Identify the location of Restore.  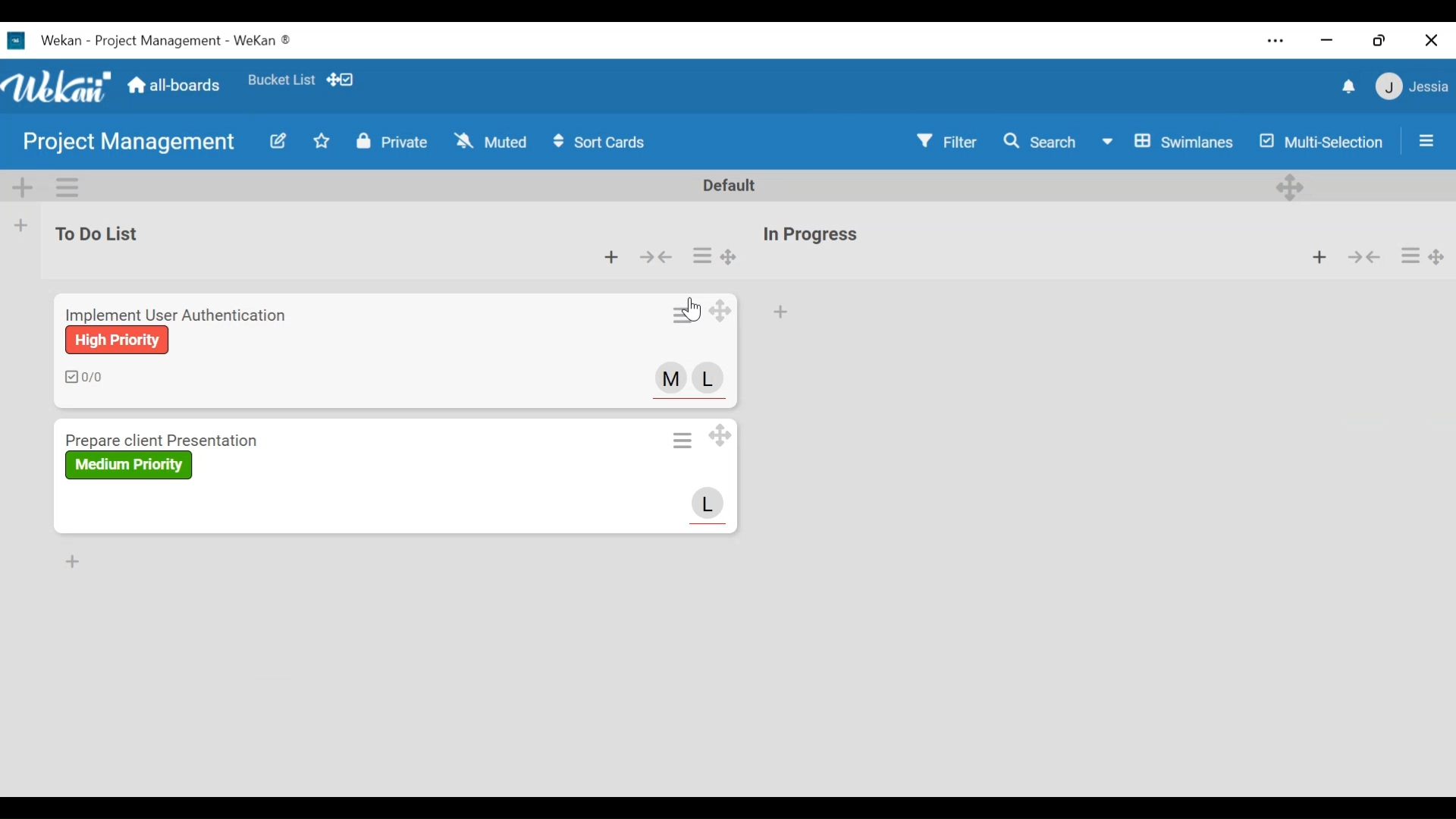
(1379, 40).